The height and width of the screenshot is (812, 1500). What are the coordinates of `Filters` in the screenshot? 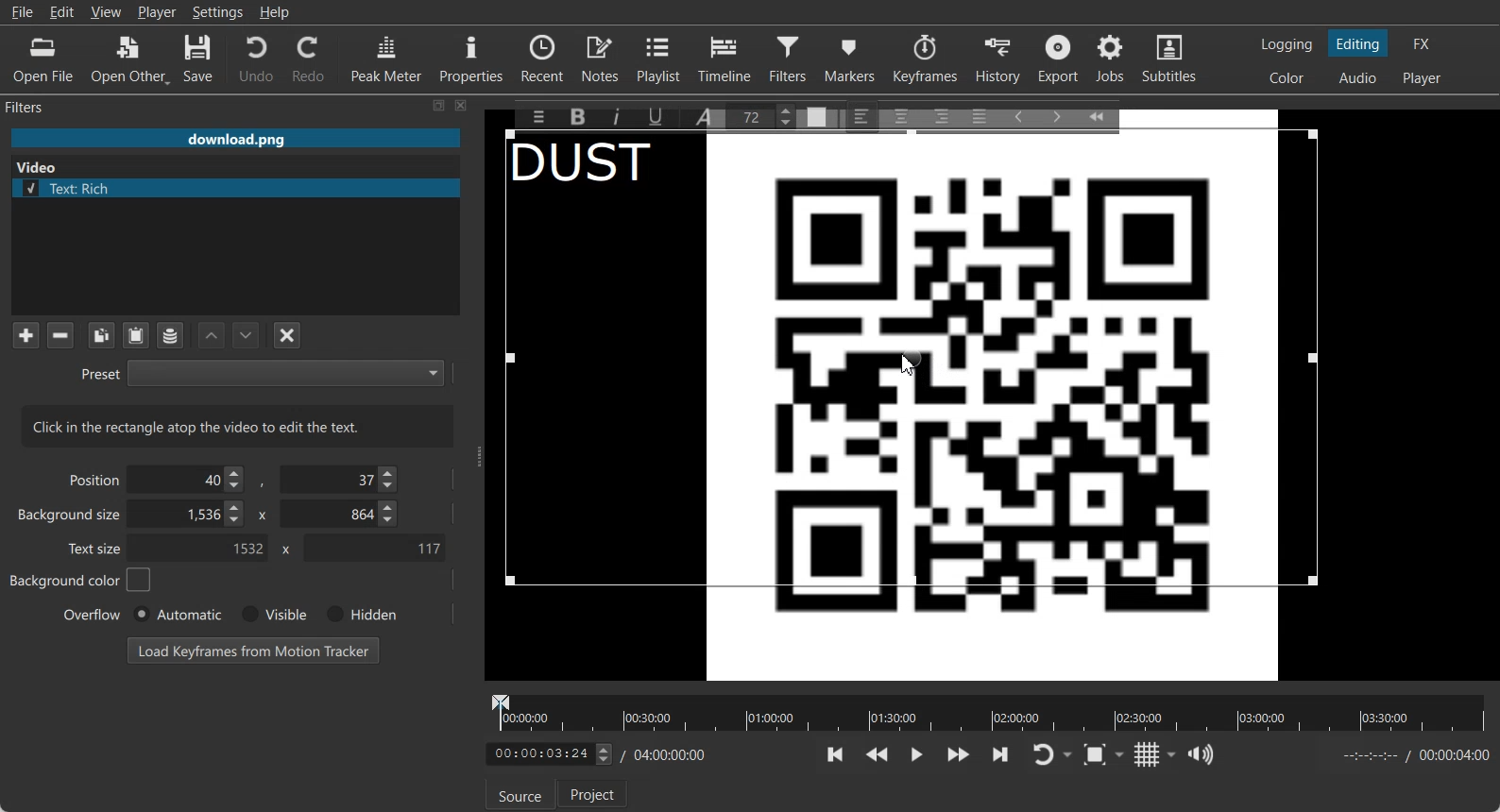 It's located at (791, 58).